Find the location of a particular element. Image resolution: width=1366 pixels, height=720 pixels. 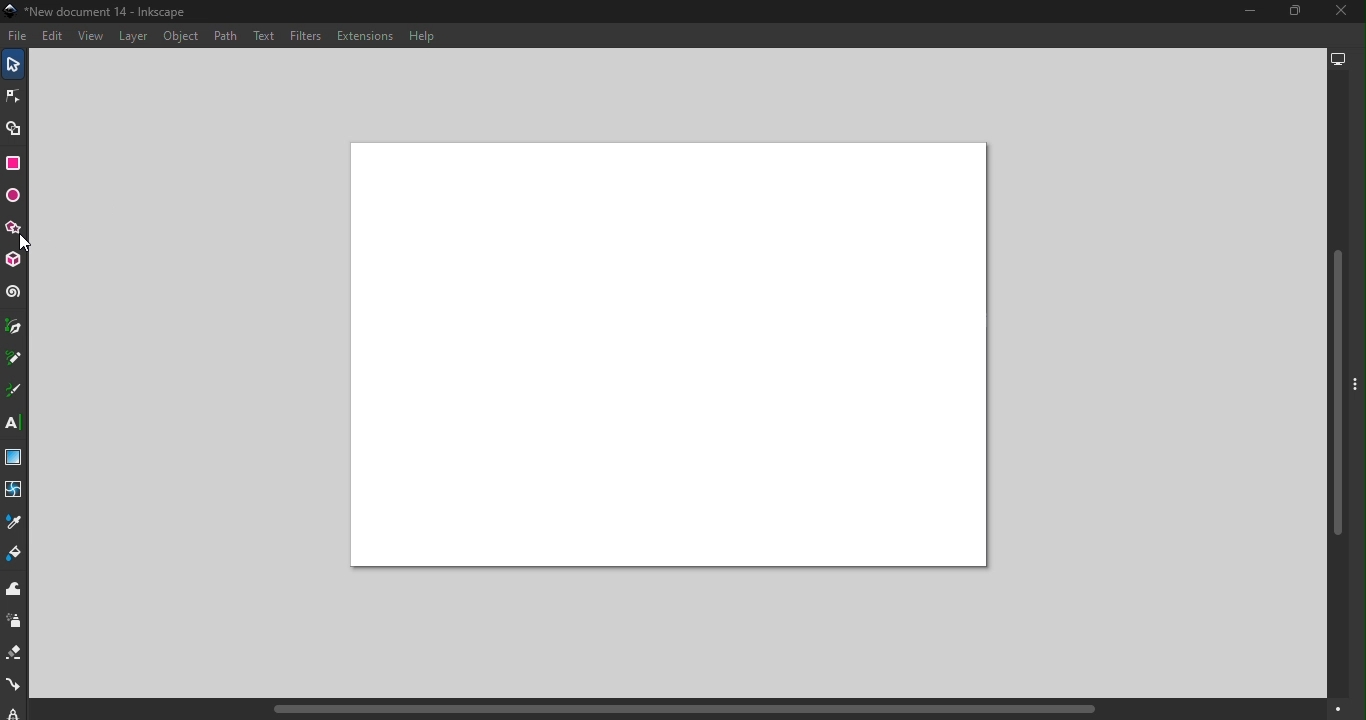

cursor is located at coordinates (30, 244).